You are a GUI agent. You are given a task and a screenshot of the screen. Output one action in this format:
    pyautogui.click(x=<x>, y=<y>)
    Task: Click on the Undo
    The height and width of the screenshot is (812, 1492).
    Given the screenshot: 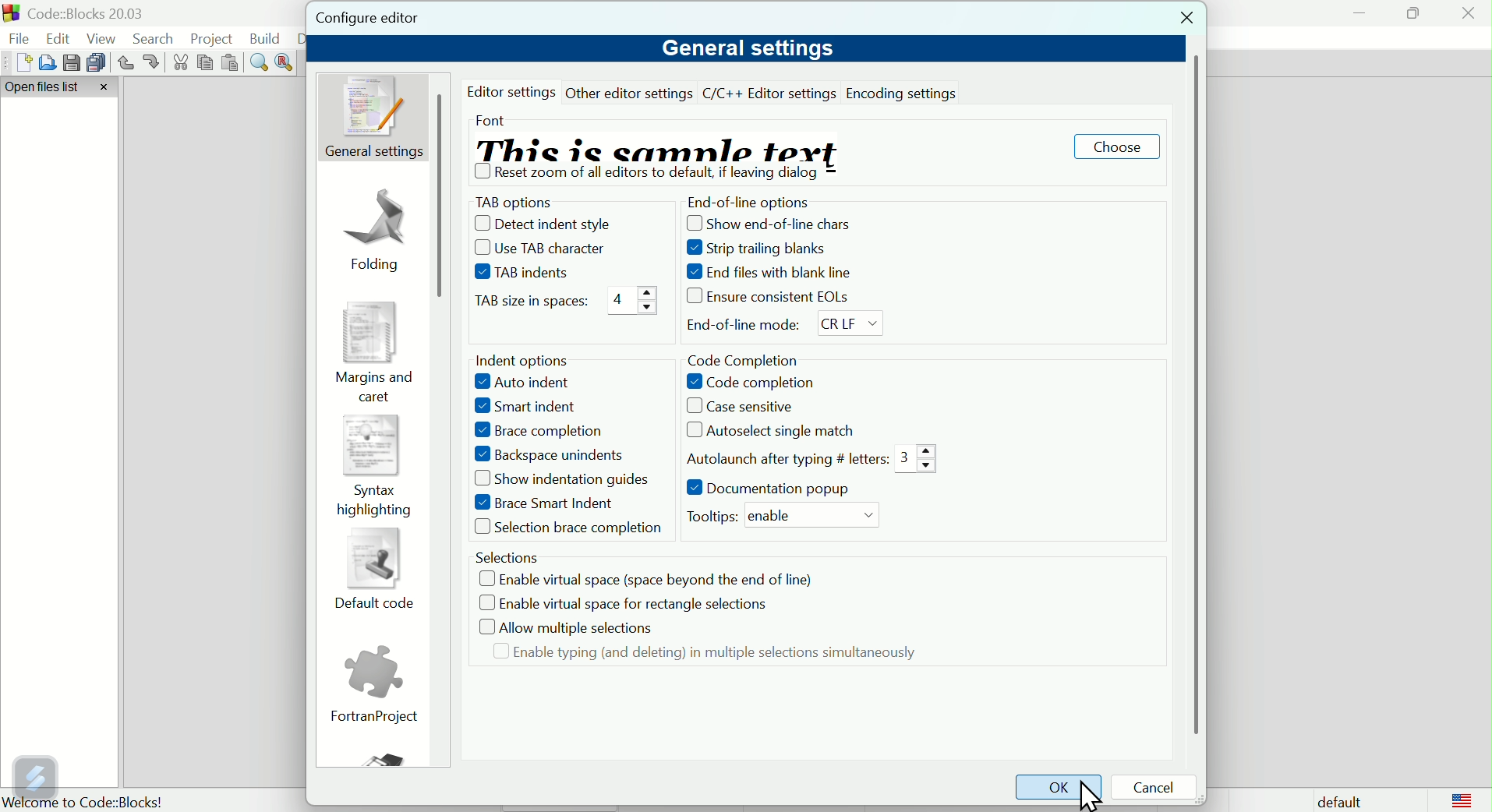 What is the action you would take?
    pyautogui.click(x=125, y=63)
    